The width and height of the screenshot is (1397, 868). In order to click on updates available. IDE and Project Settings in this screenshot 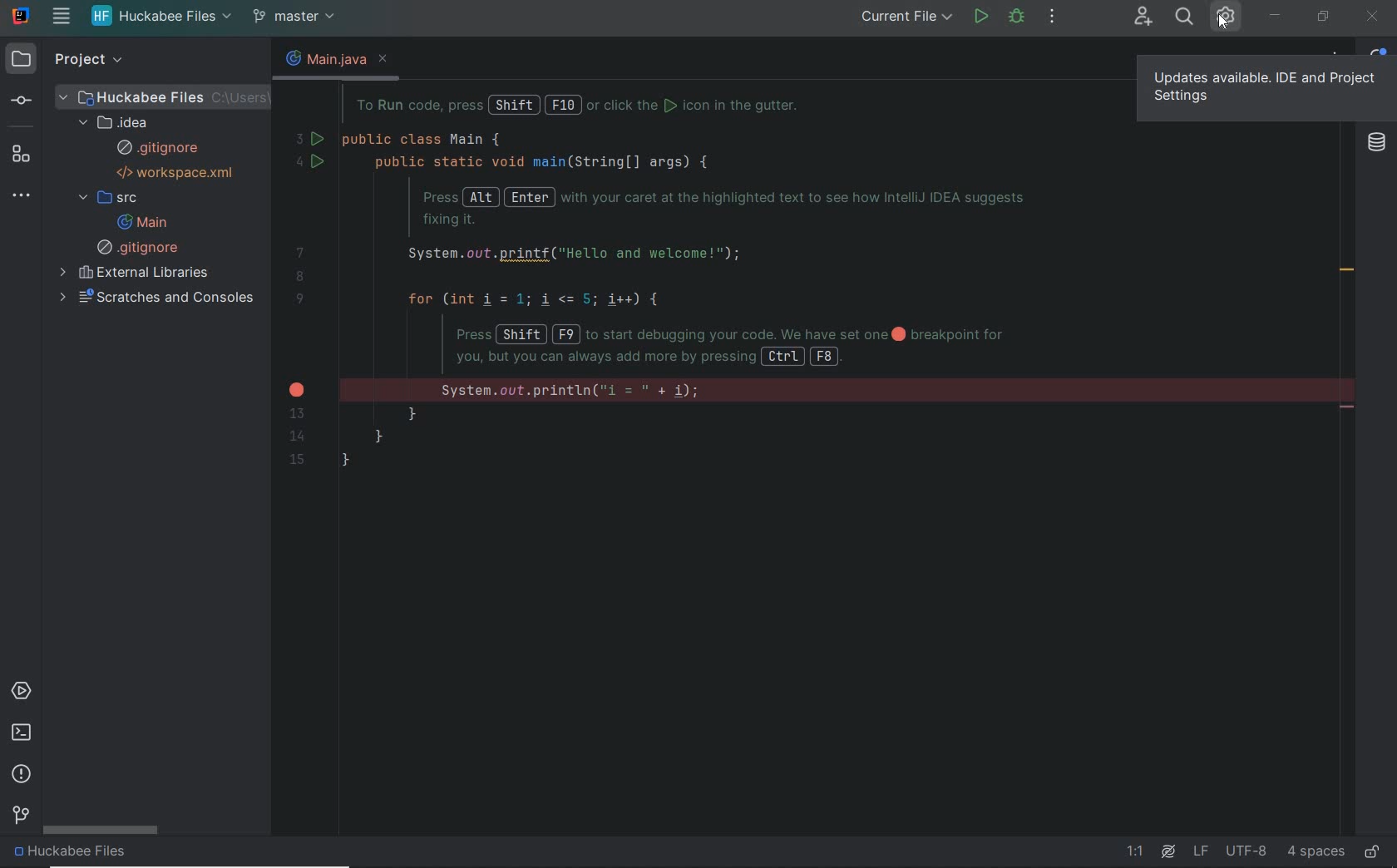, I will do `click(1265, 87)`.